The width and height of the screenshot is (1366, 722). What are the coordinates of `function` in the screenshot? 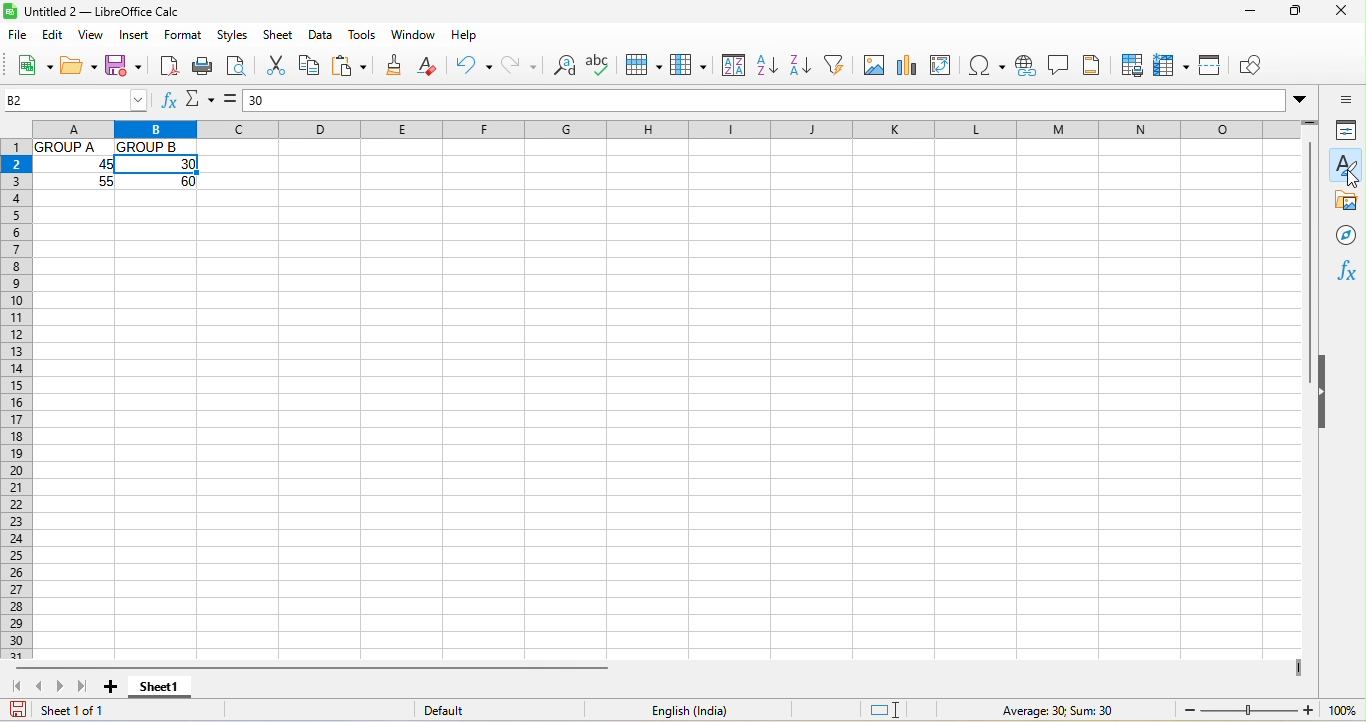 It's located at (1345, 273).